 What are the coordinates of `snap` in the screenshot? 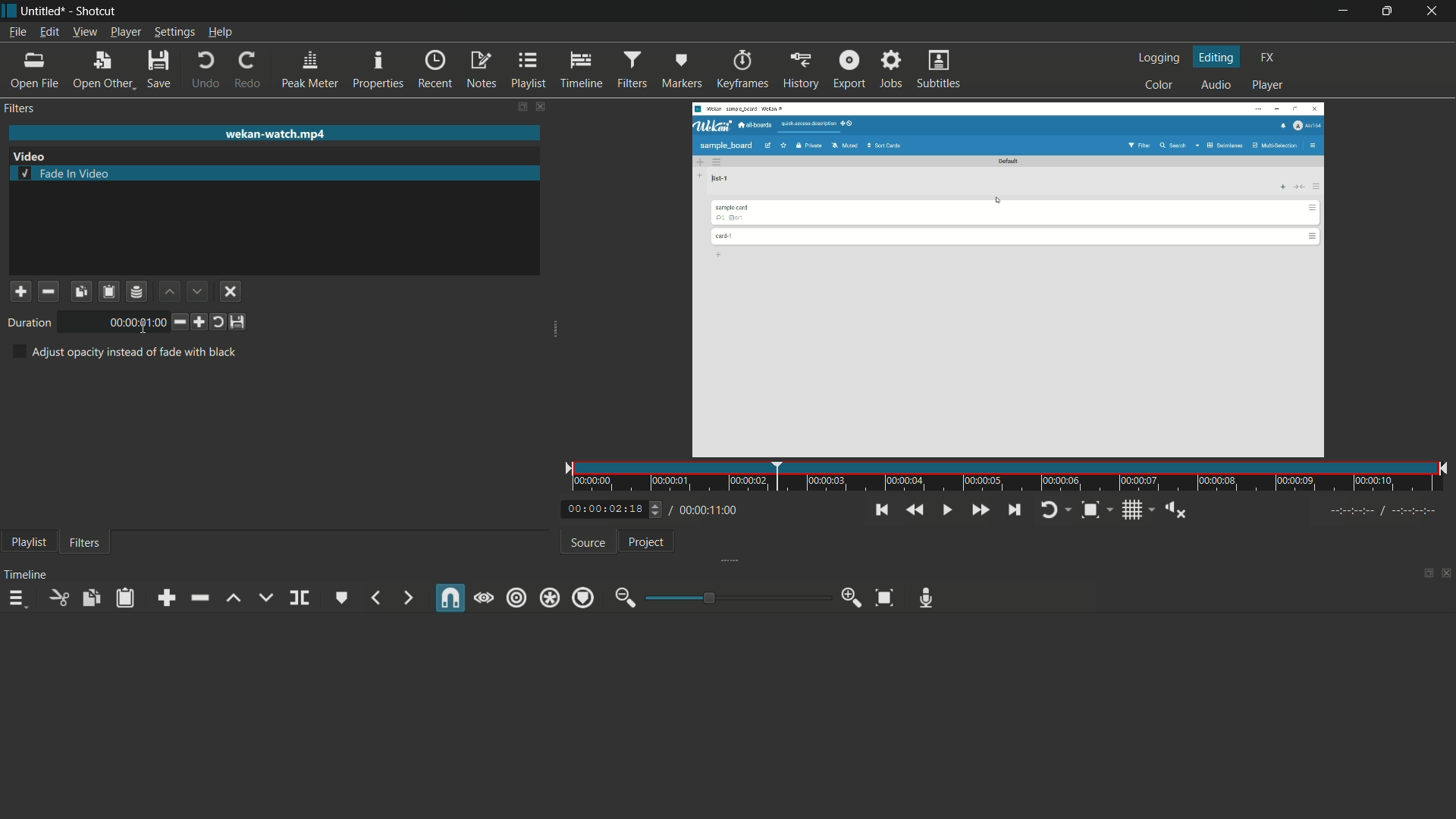 It's located at (452, 598).